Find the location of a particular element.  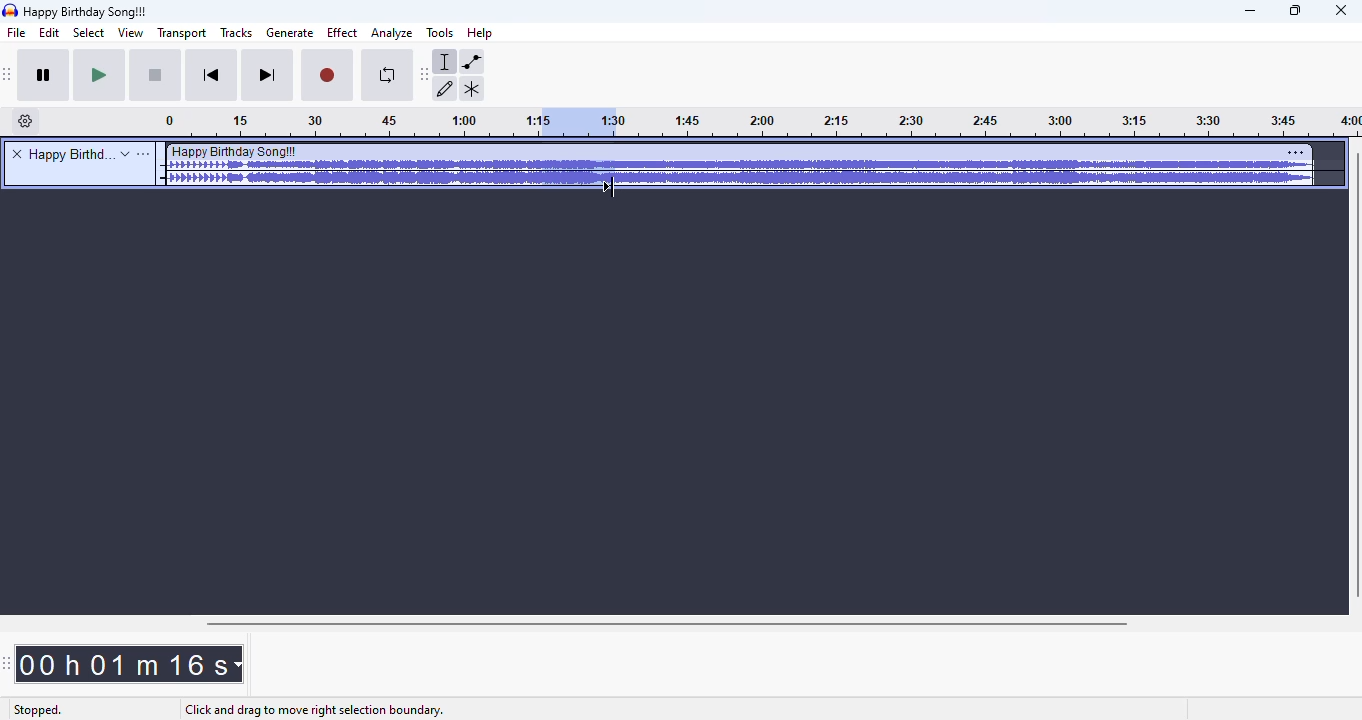

effect is located at coordinates (342, 33).